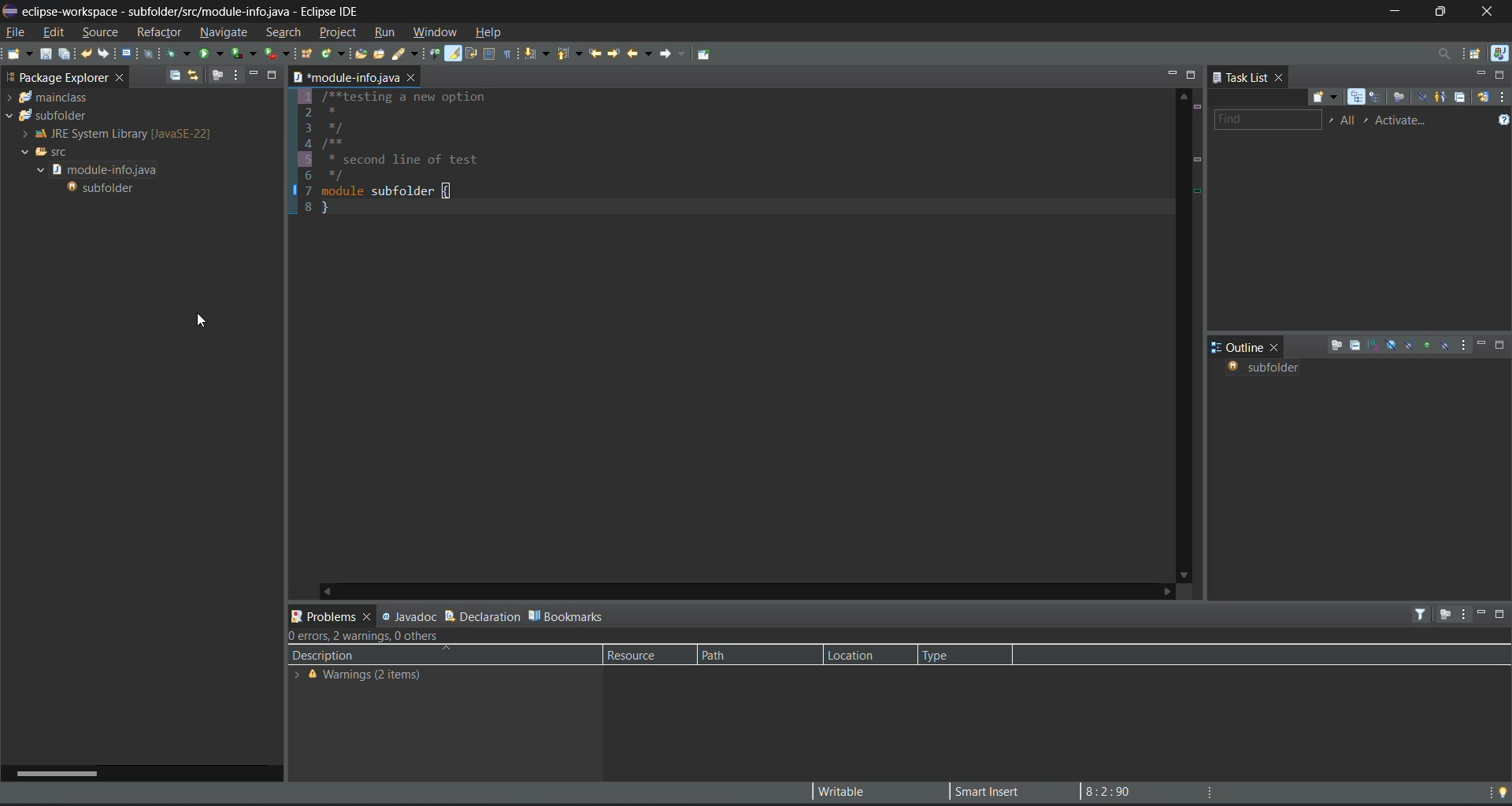  I want to click on declaration, so click(483, 614).